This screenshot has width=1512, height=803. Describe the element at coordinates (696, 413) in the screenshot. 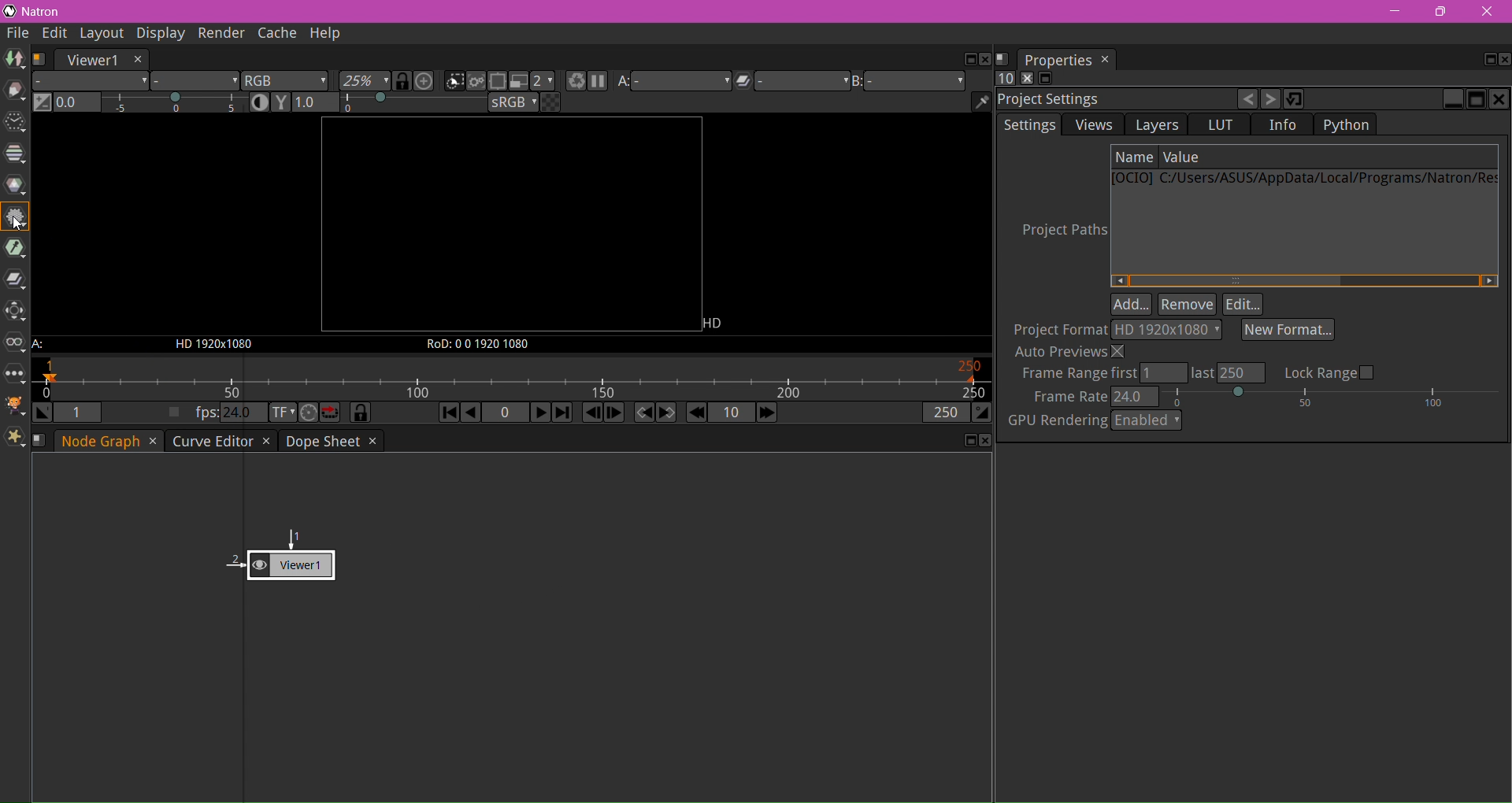

I see `Previous Increment` at that location.